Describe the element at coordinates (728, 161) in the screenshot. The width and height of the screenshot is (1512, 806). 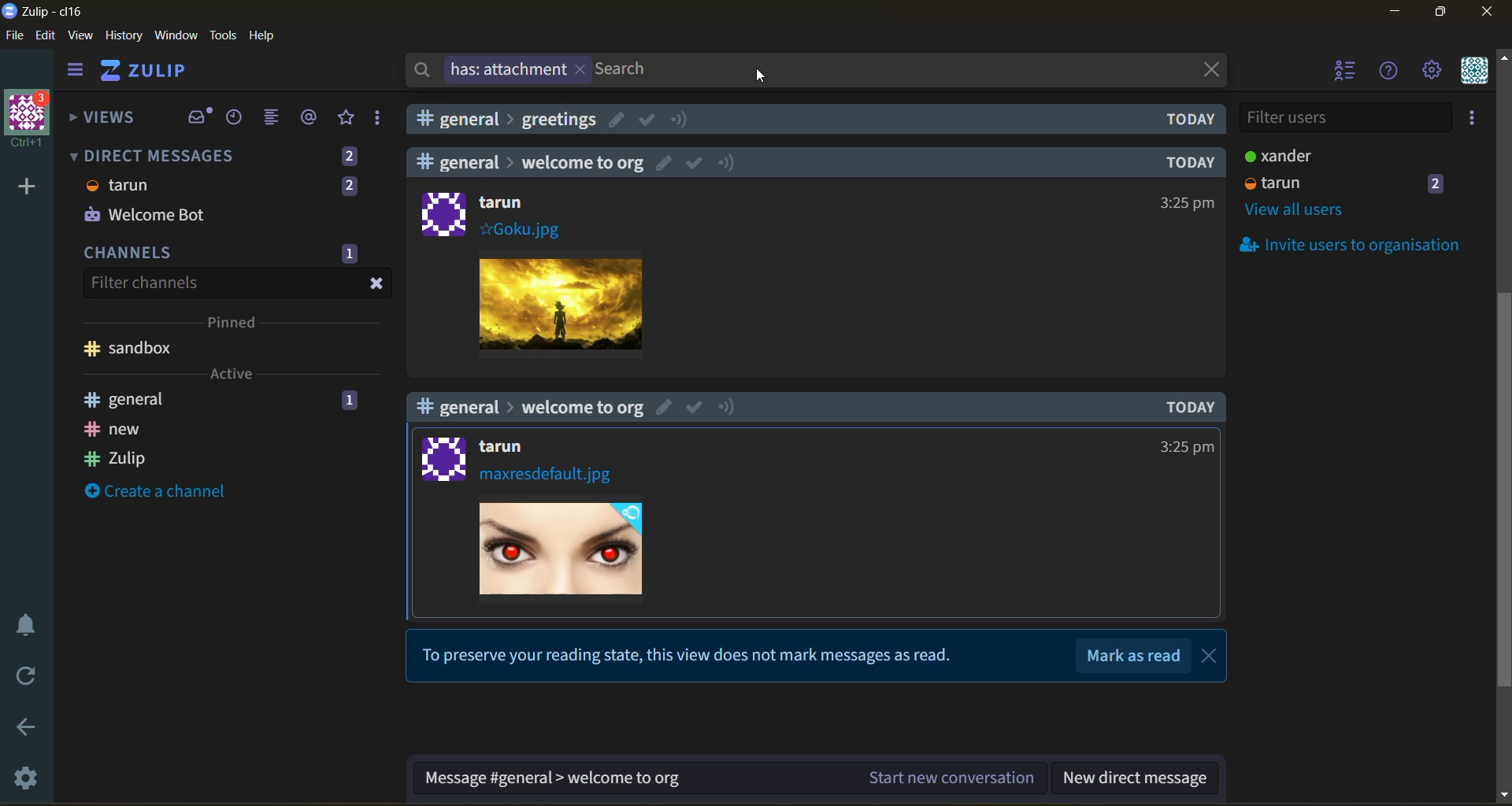
I see `notify` at that location.